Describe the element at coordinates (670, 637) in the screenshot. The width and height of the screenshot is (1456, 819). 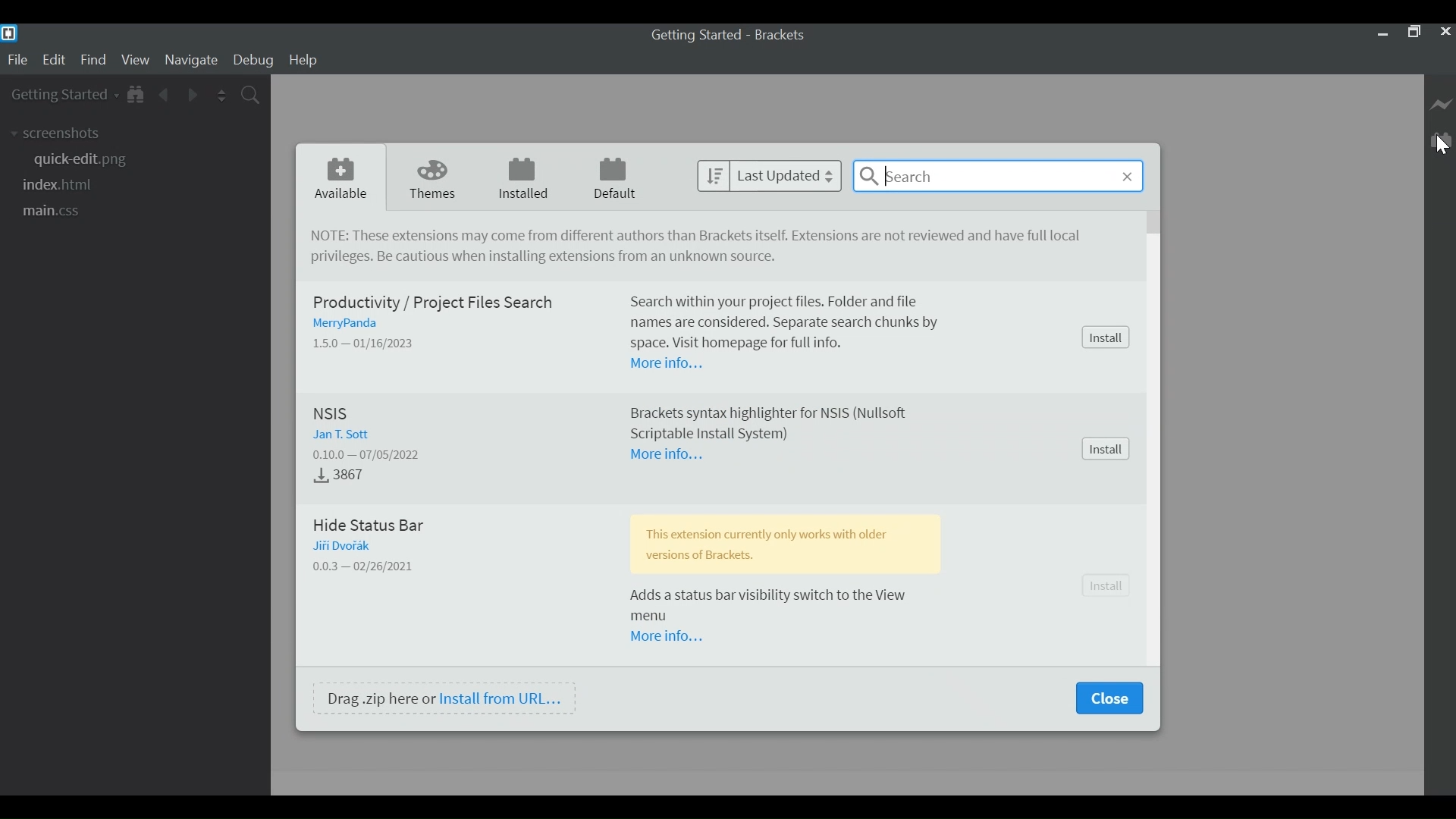
I see `More Information` at that location.